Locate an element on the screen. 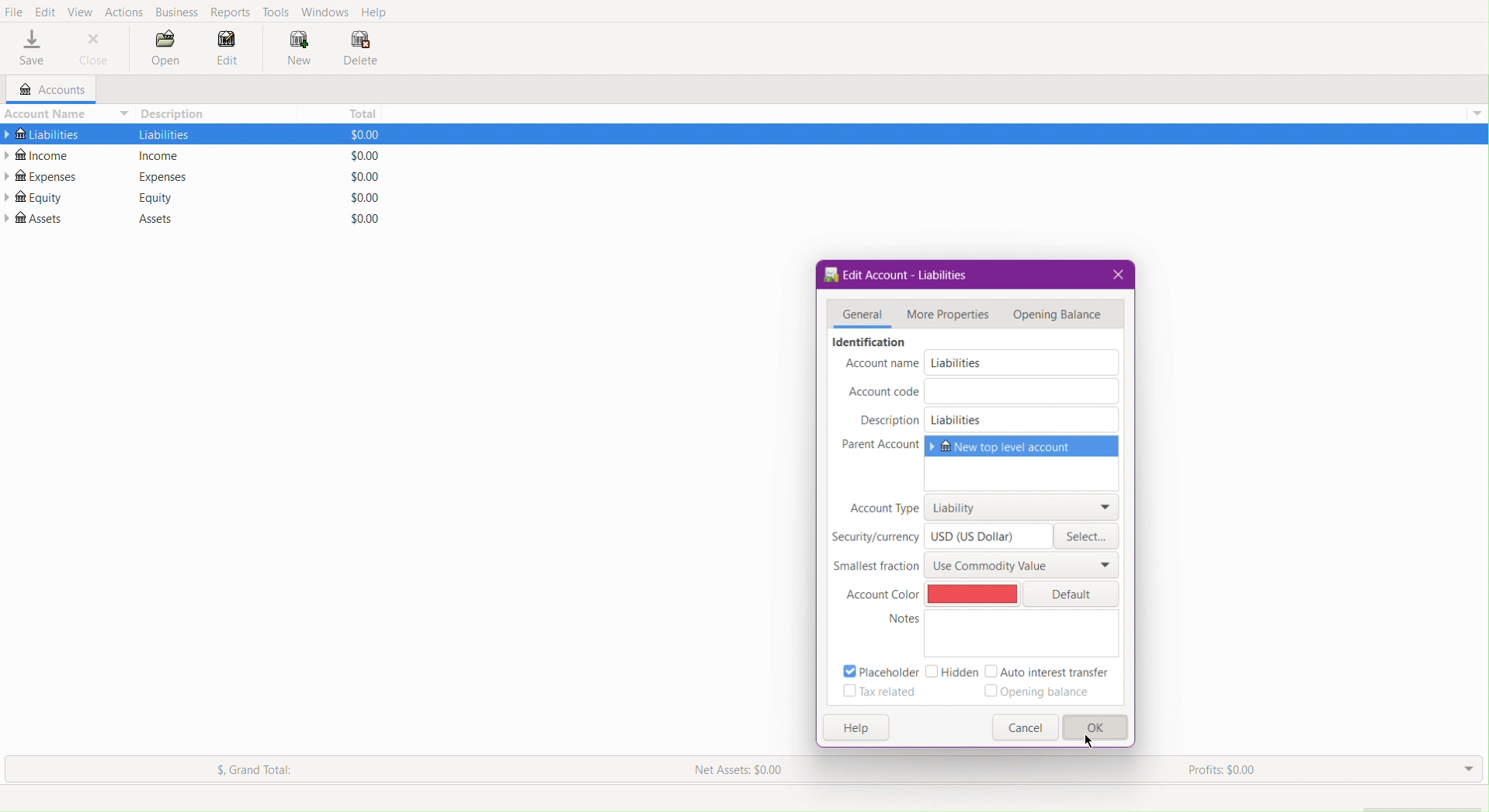 The image size is (1489, 812). Opening balance is located at coordinates (1041, 692).